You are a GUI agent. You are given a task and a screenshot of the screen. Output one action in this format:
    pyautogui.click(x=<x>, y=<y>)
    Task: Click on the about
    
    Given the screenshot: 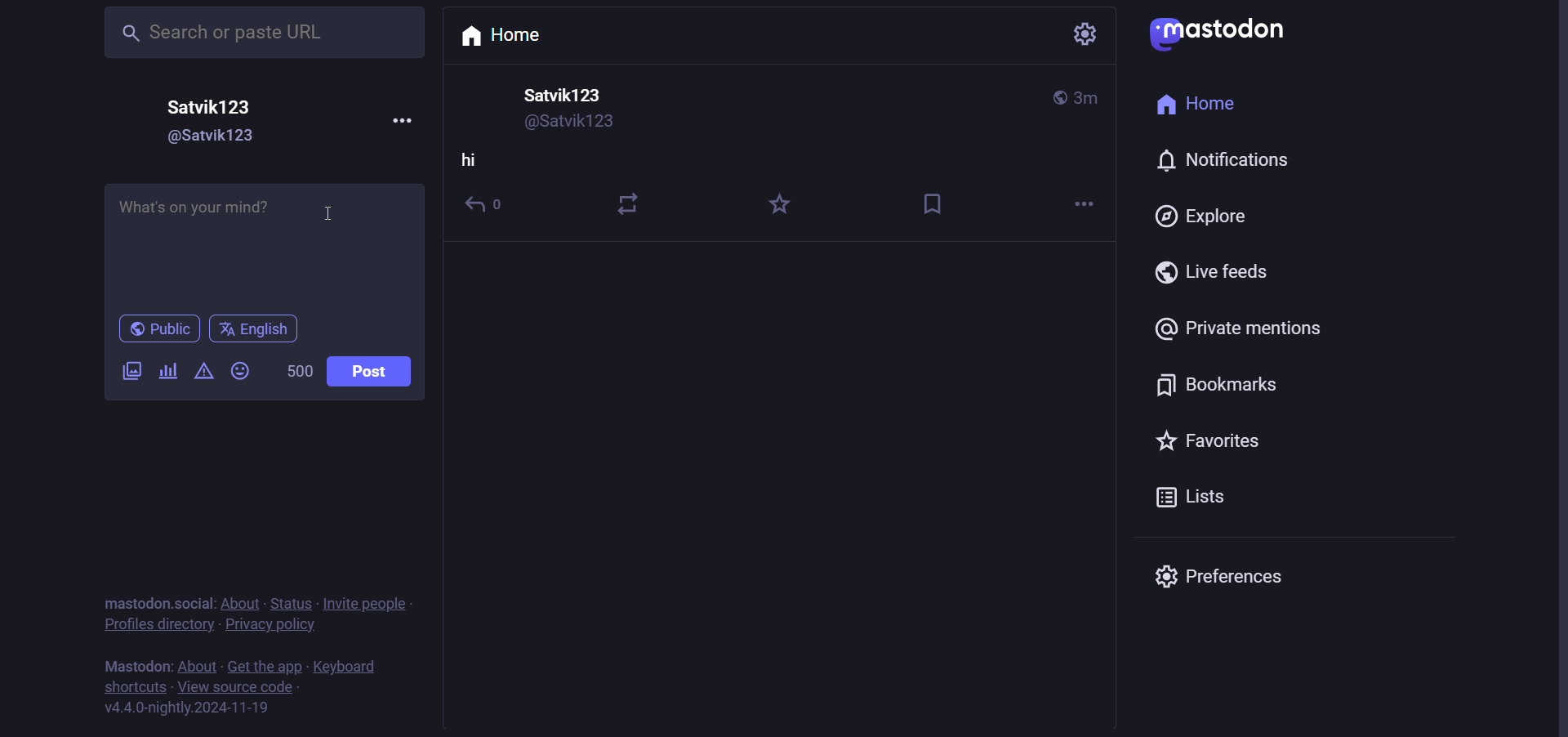 What is the action you would take?
    pyautogui.click(x=238, y=604)
    